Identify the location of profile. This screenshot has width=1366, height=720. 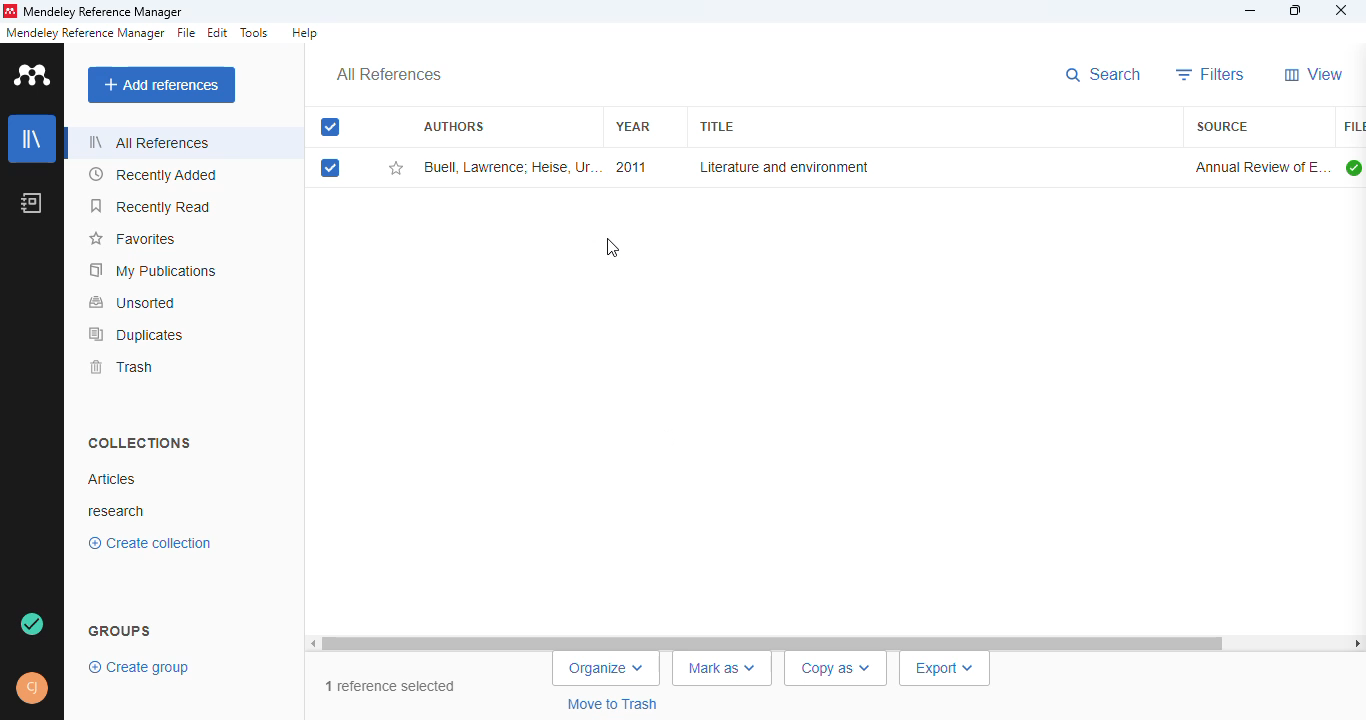
(32, 688).